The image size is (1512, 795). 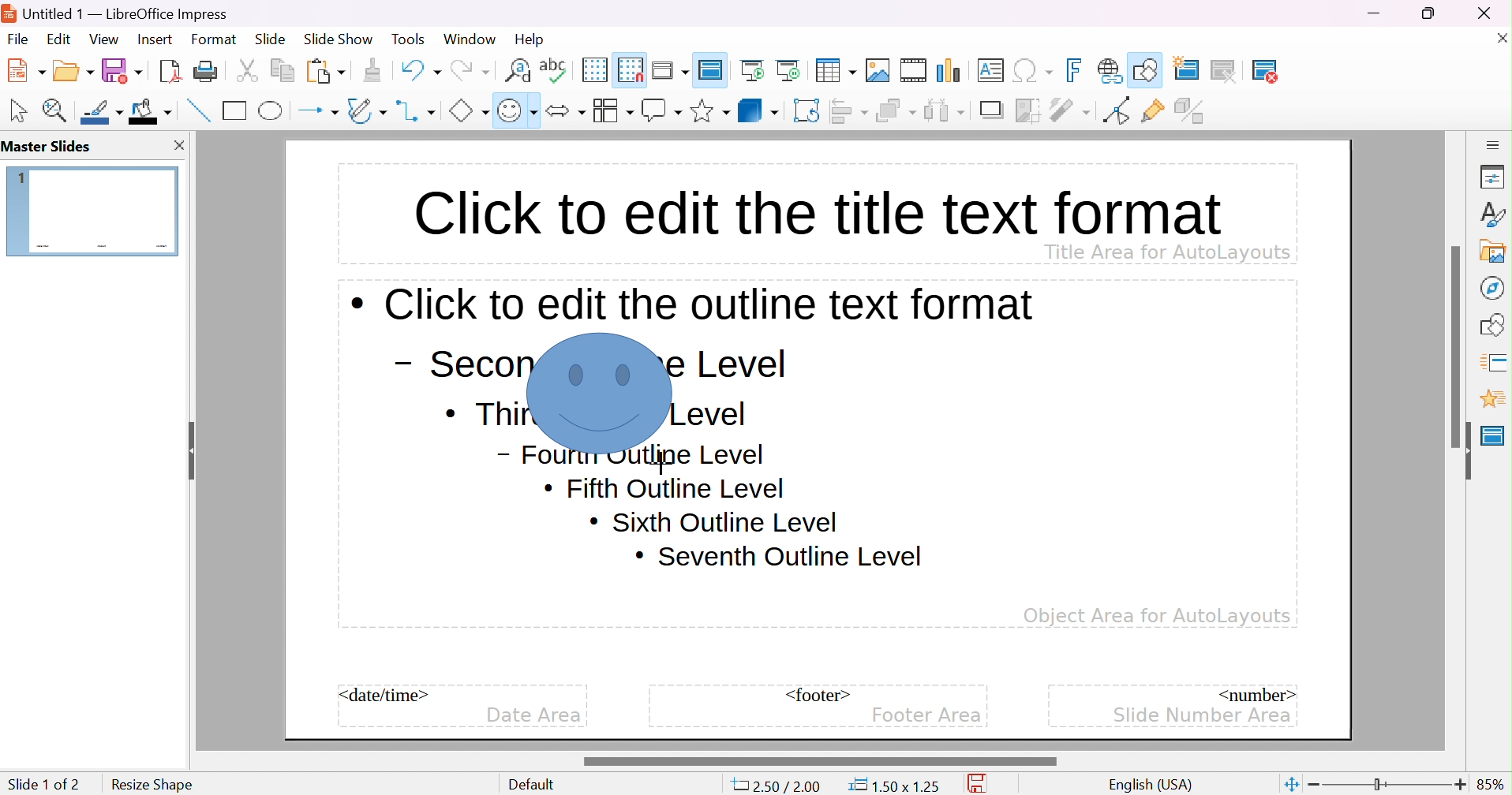 I want to click on basic shapes, so click(x=468, y=110).